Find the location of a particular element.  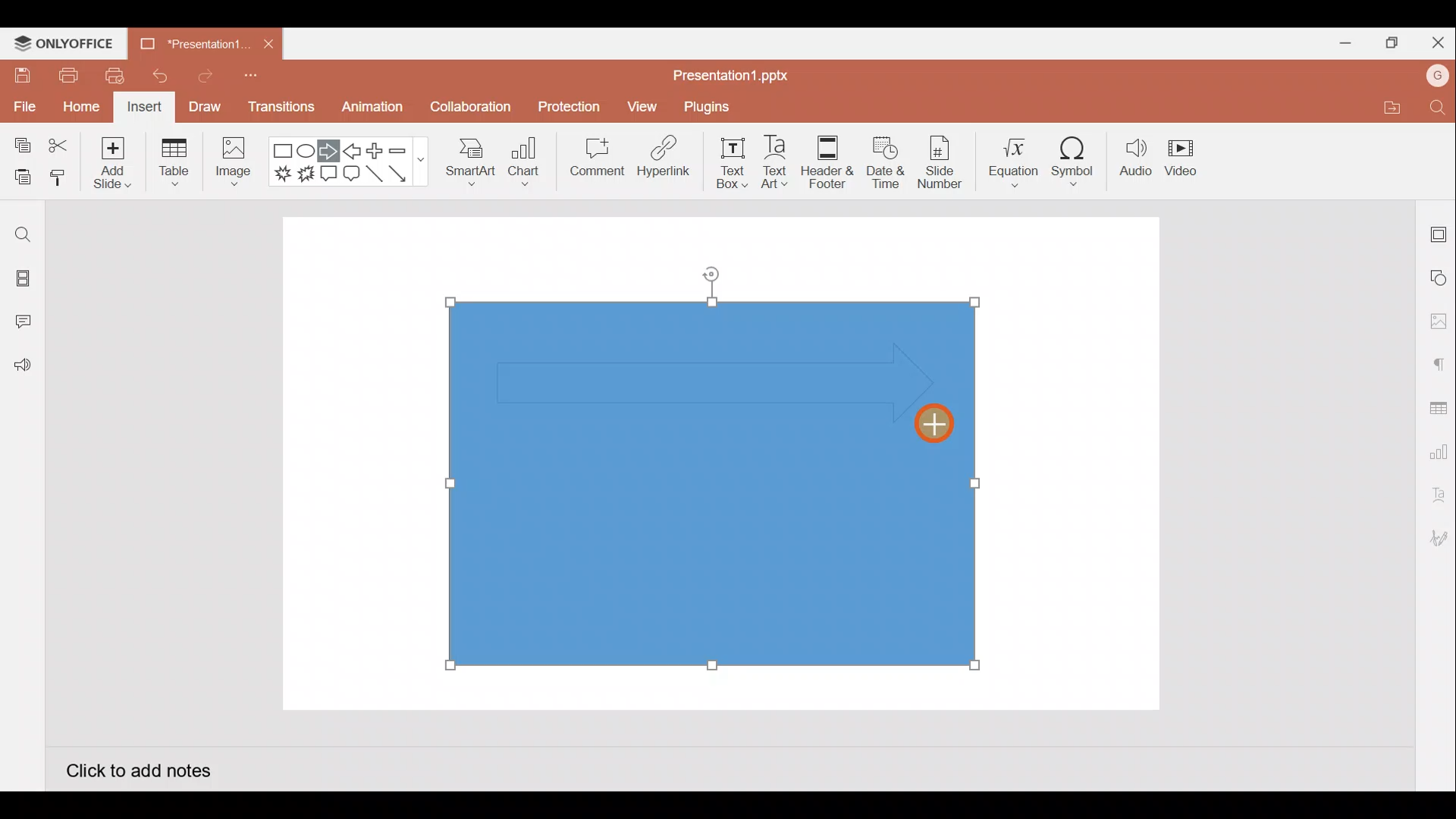

Collaboration is located at coordinates (469, 113).